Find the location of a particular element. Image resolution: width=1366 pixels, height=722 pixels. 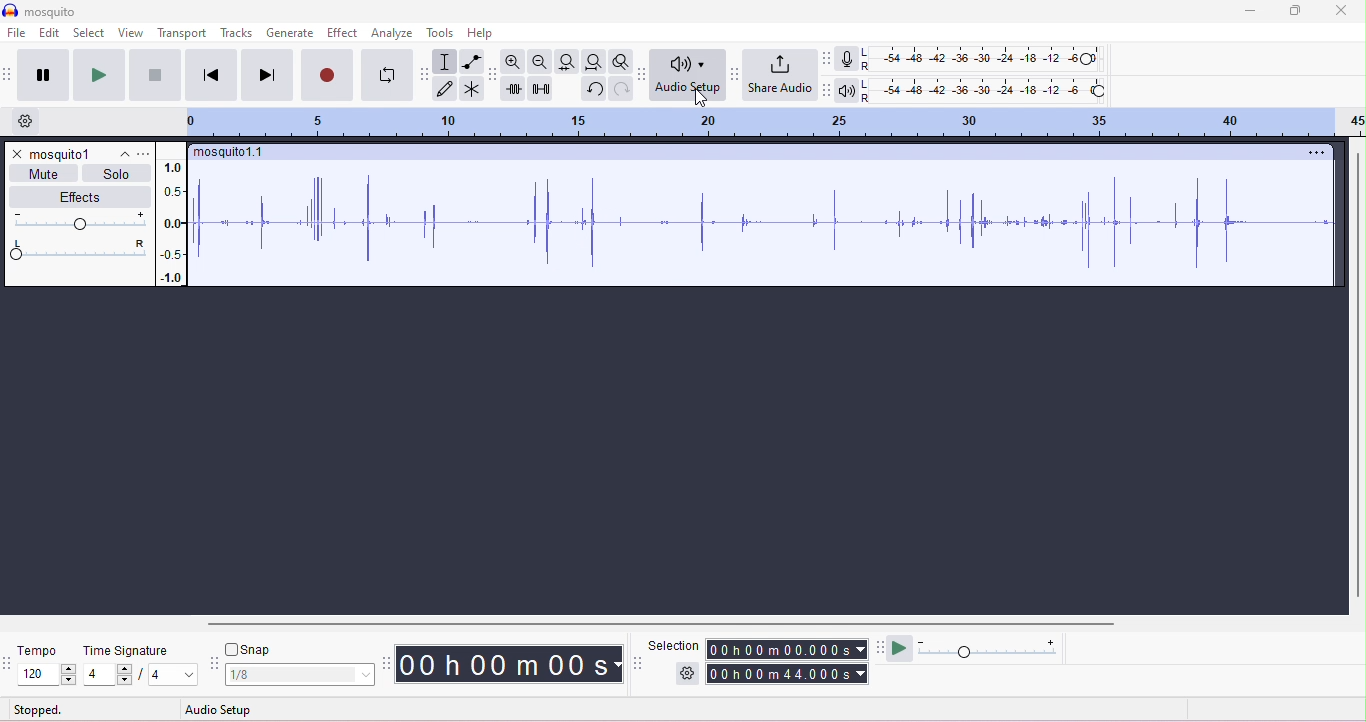

recording level is located at coordinates (986, 59).